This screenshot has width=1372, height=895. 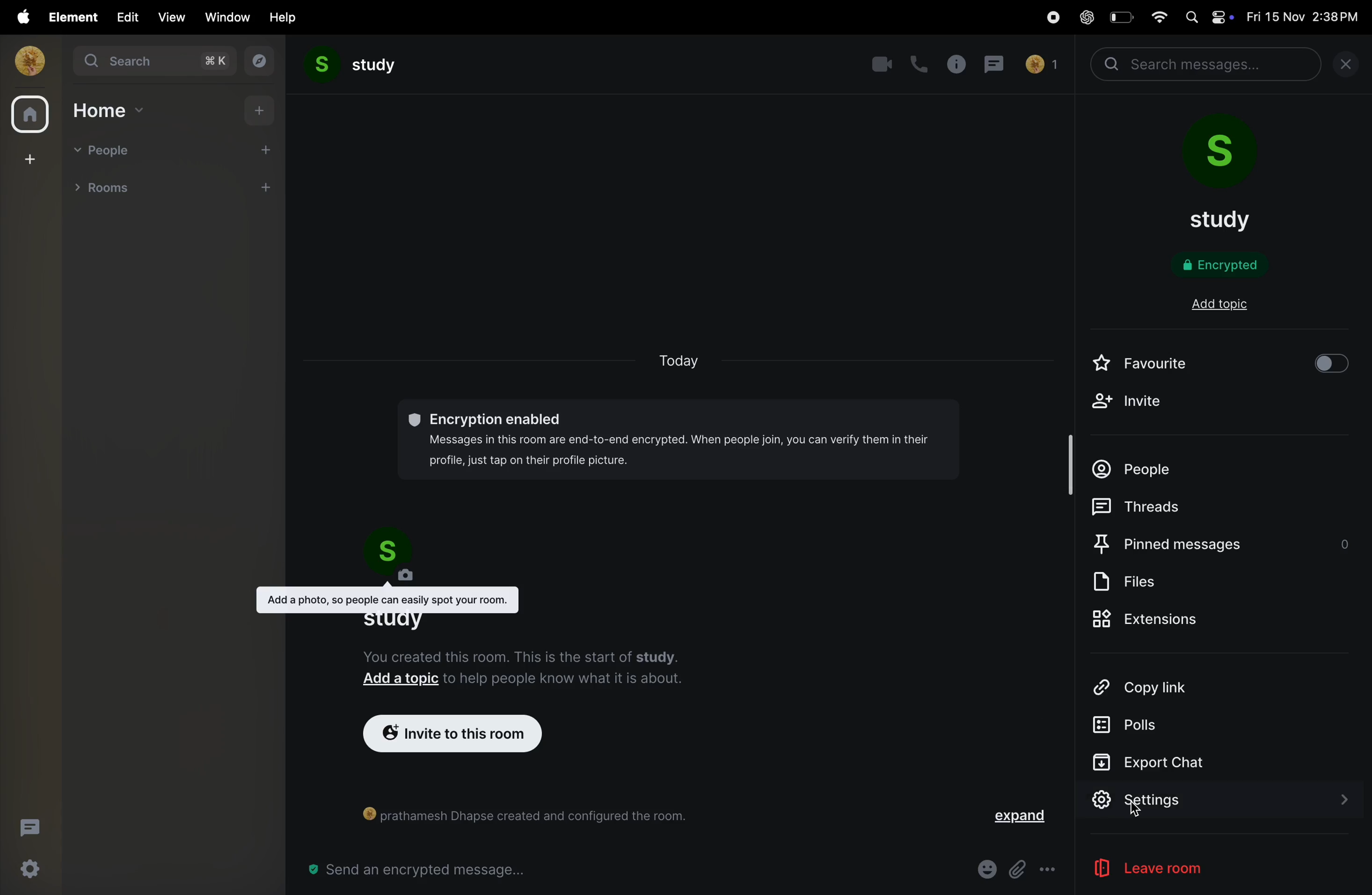 What do you see at coordinates (389, 599) in the screenshot?
I see `I Add a photo, so people can easily spot your room.` at bounding box center [389, 599].